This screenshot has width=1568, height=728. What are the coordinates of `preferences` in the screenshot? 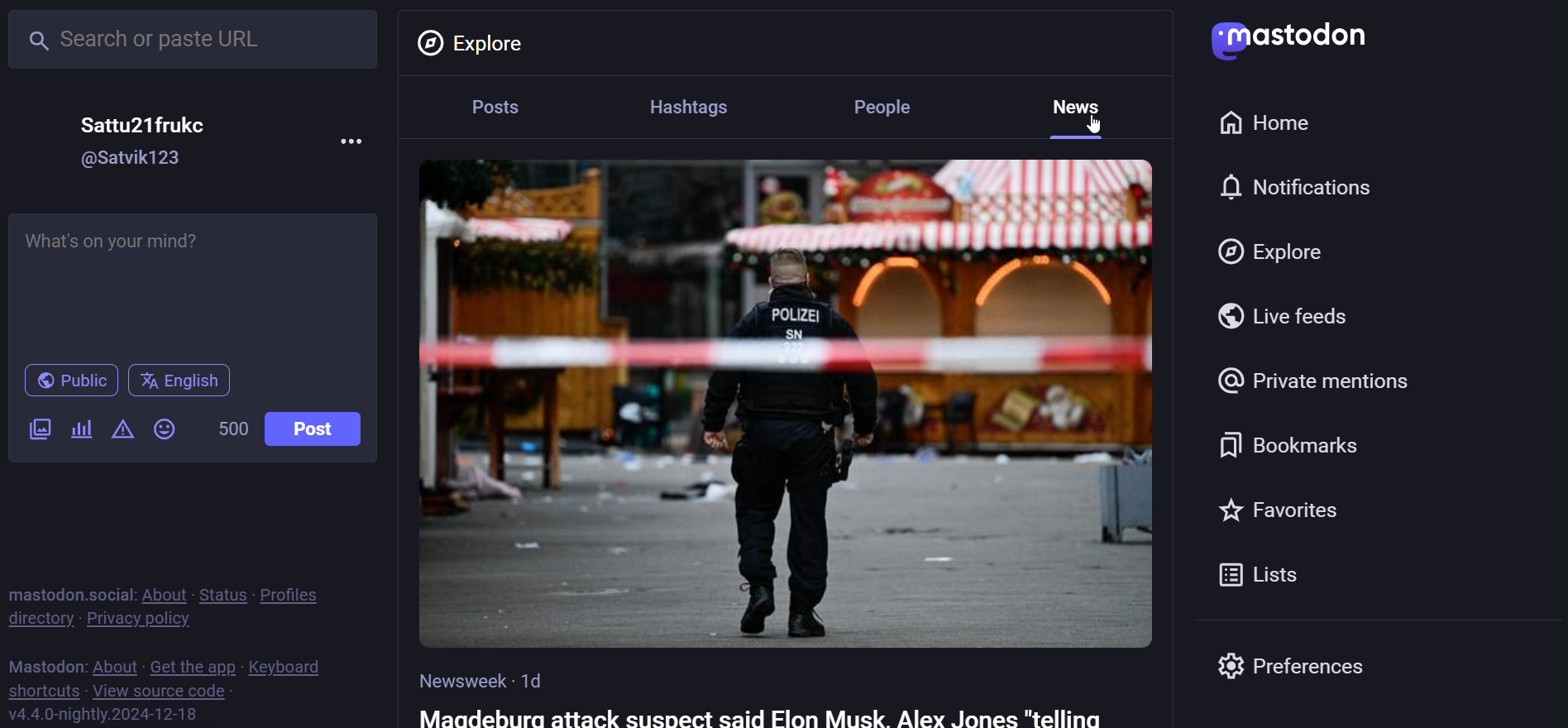 It's located at (1336, 666).